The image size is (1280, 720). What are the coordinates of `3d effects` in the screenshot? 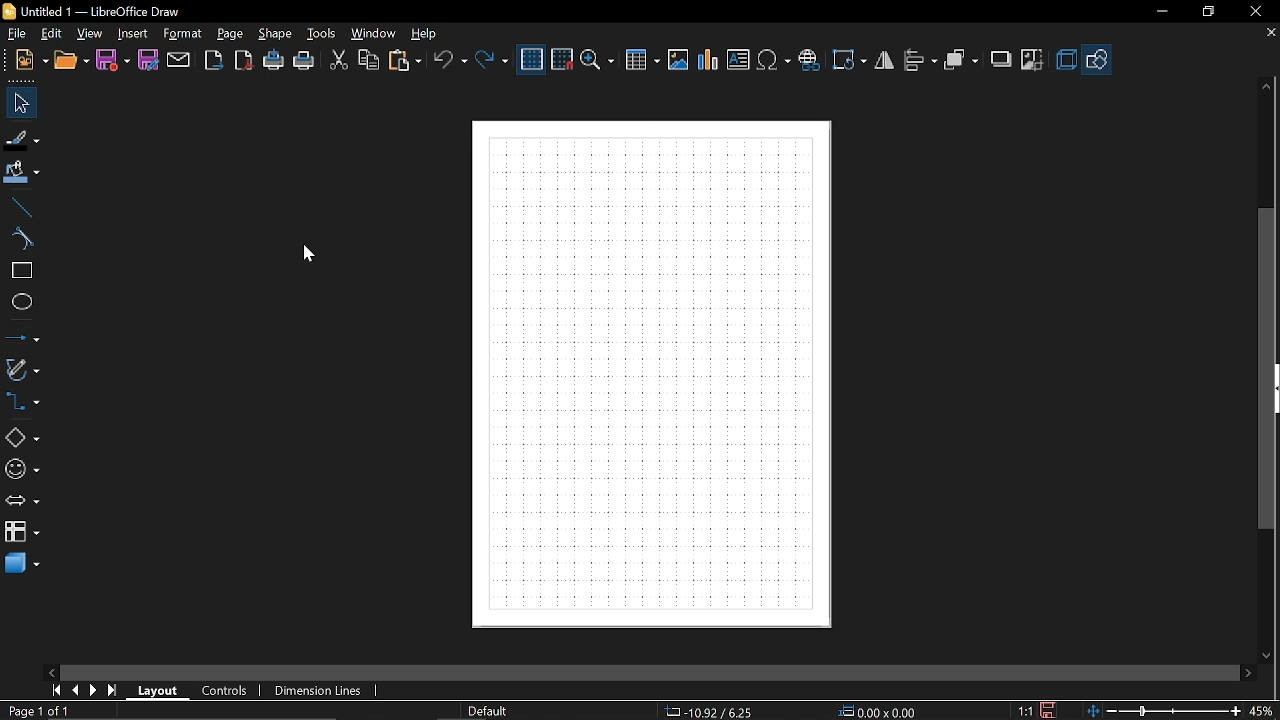 It's located at (22, 564).